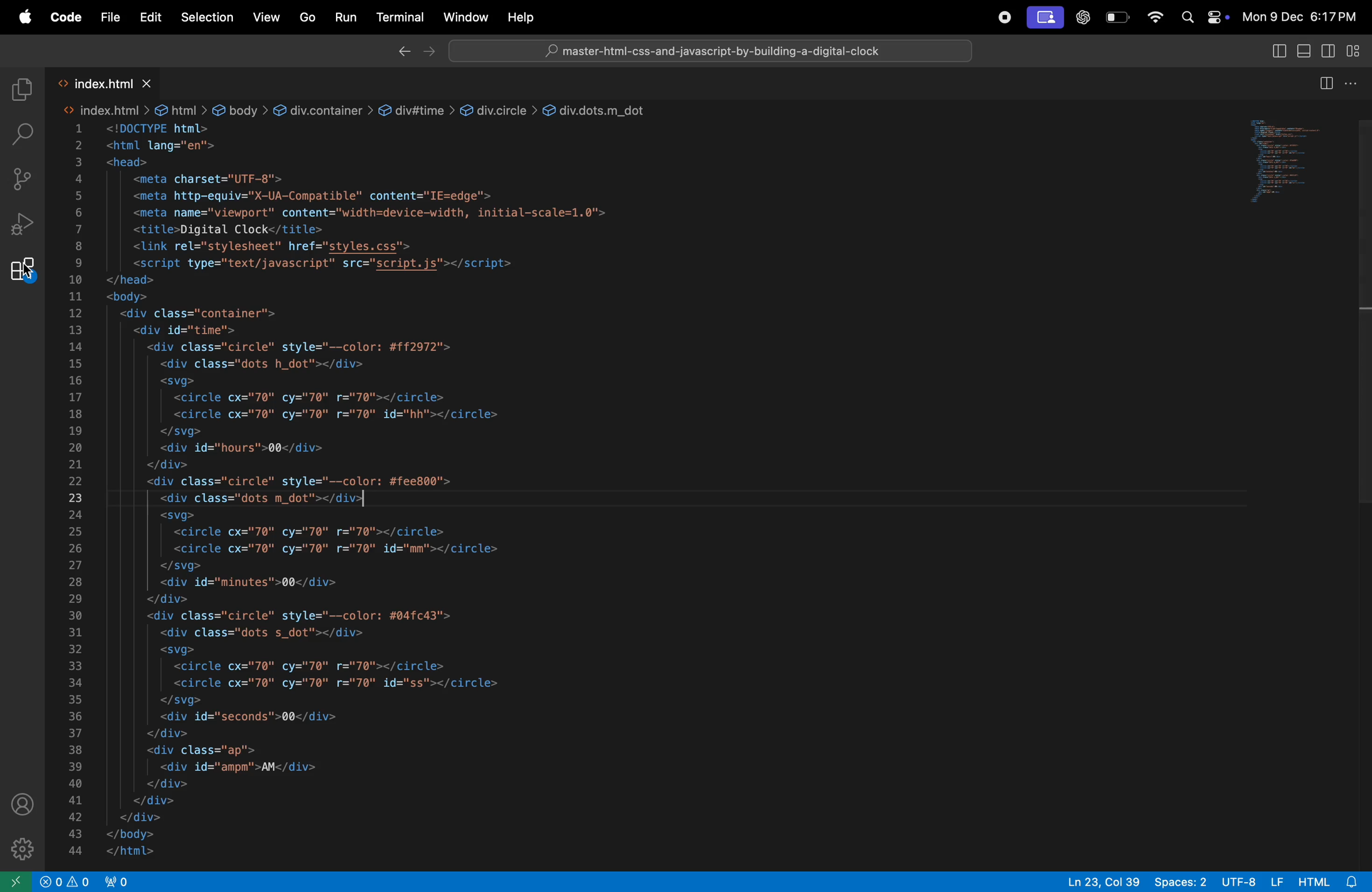 The image size is (1372, 892). I want to click on Edit, so click(147, 17).